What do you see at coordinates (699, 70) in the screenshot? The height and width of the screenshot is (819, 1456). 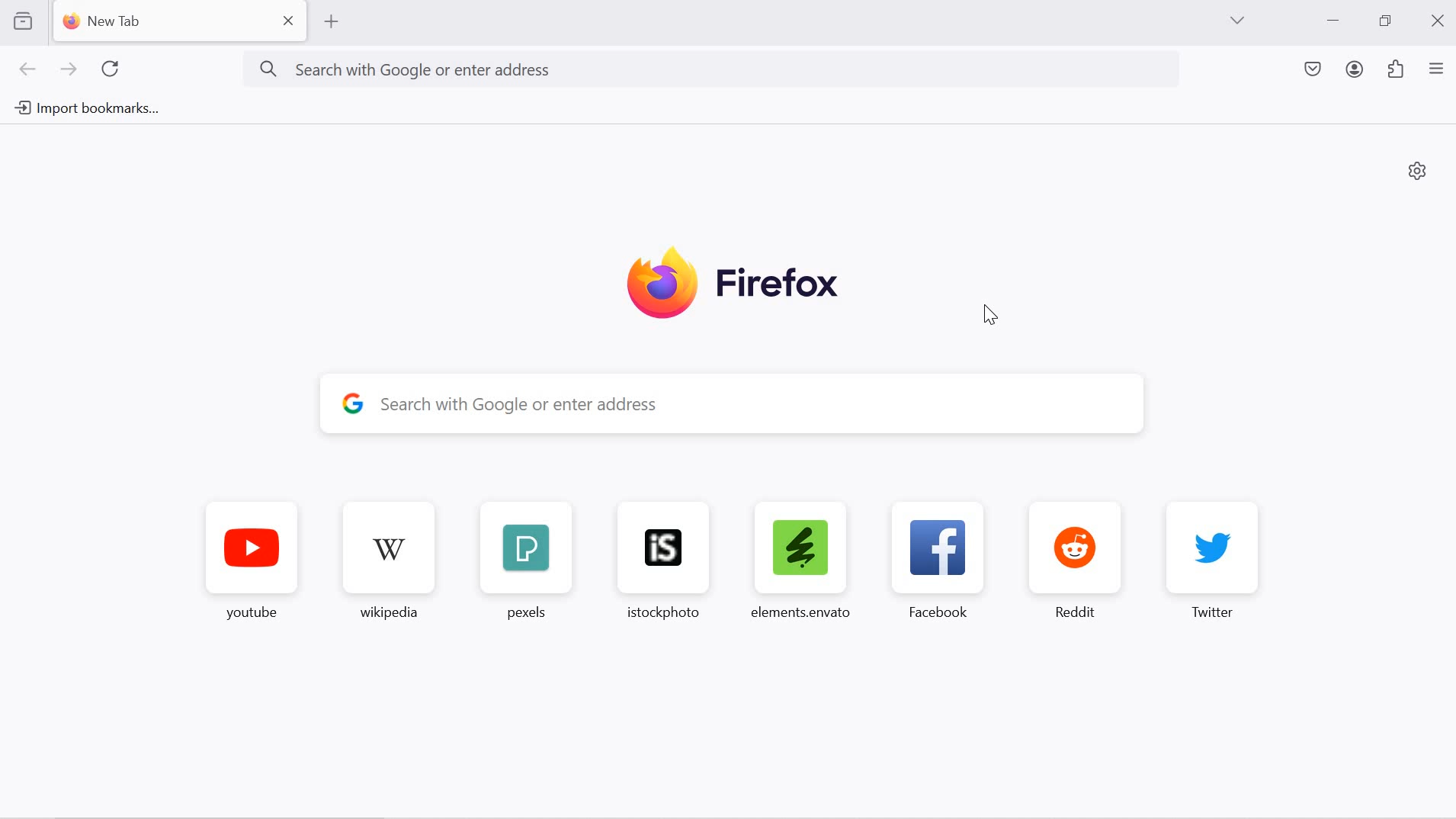 I see ` Search with Google or enter address` at bounding box center [699, 70].